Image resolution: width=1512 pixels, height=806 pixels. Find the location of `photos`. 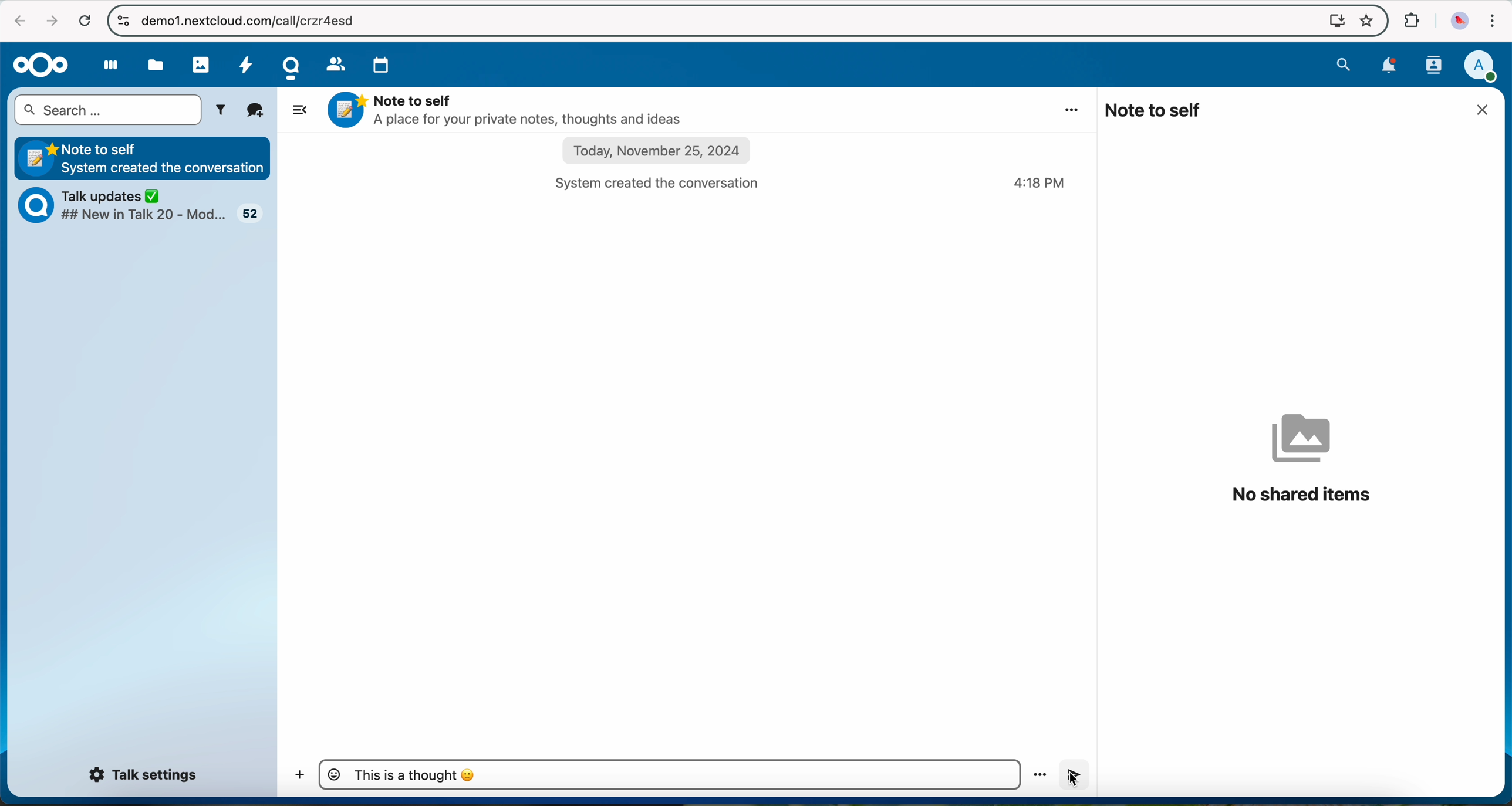

photos is located at coordinates (200, 63).